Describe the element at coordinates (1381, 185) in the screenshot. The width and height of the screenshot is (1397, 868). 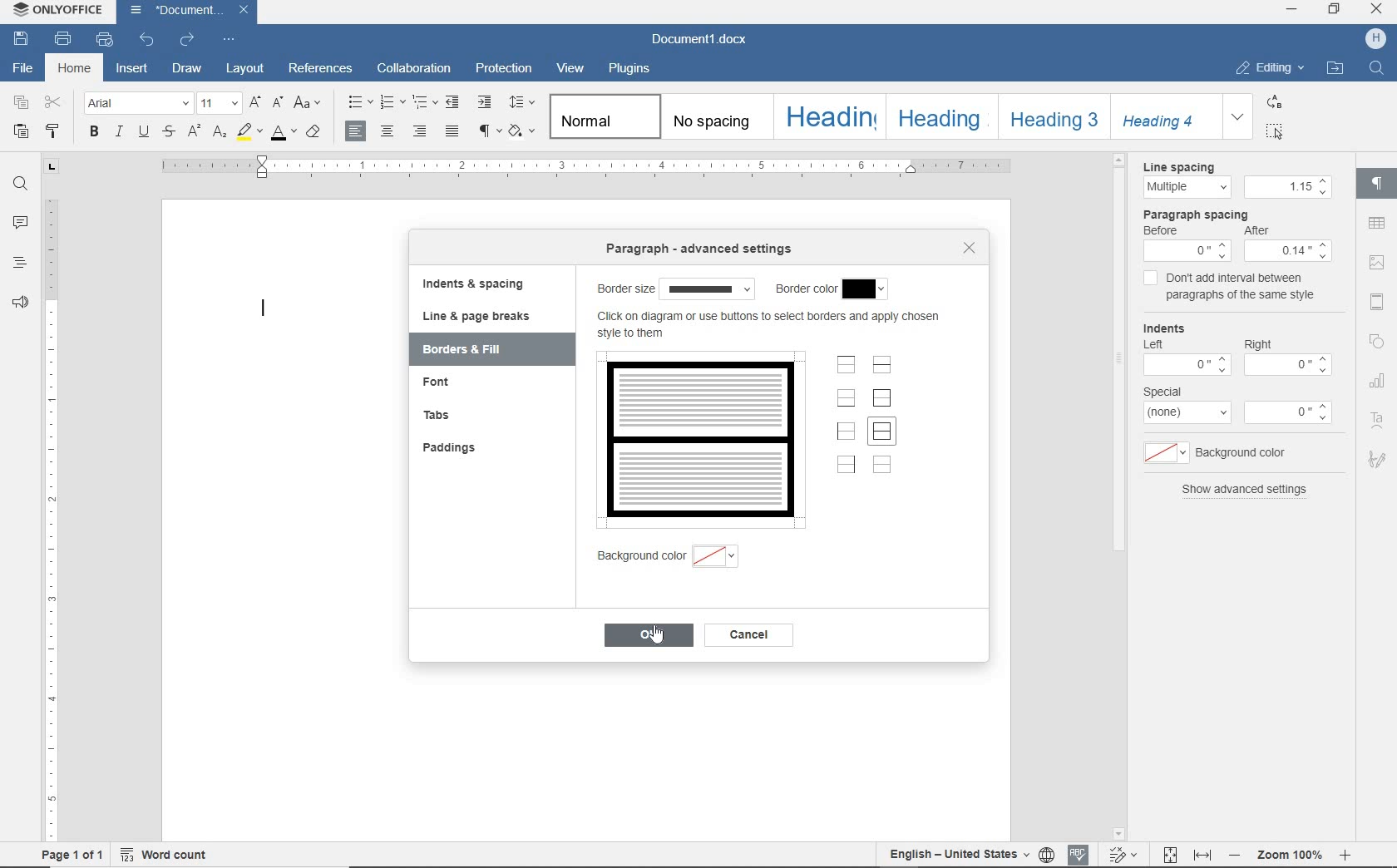
I see `paragraph settings` at that location.